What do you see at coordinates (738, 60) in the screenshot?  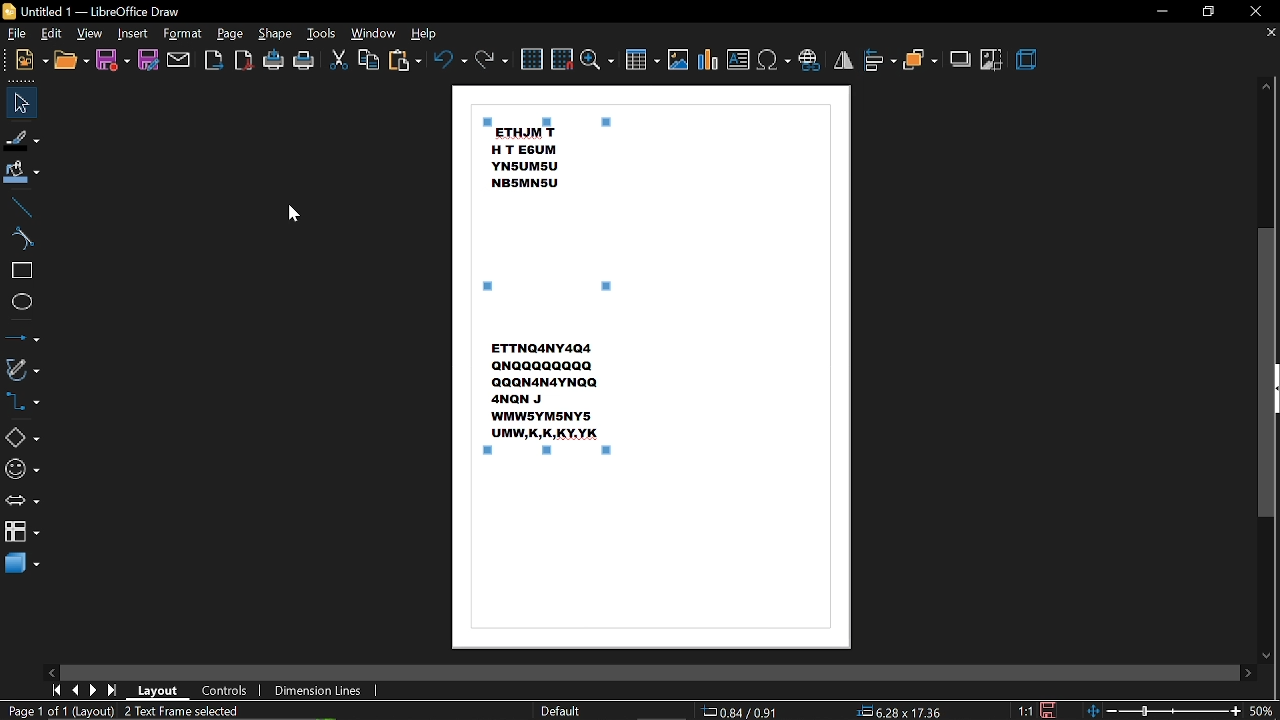 I see `insert text` at bounding box center [738, 60].